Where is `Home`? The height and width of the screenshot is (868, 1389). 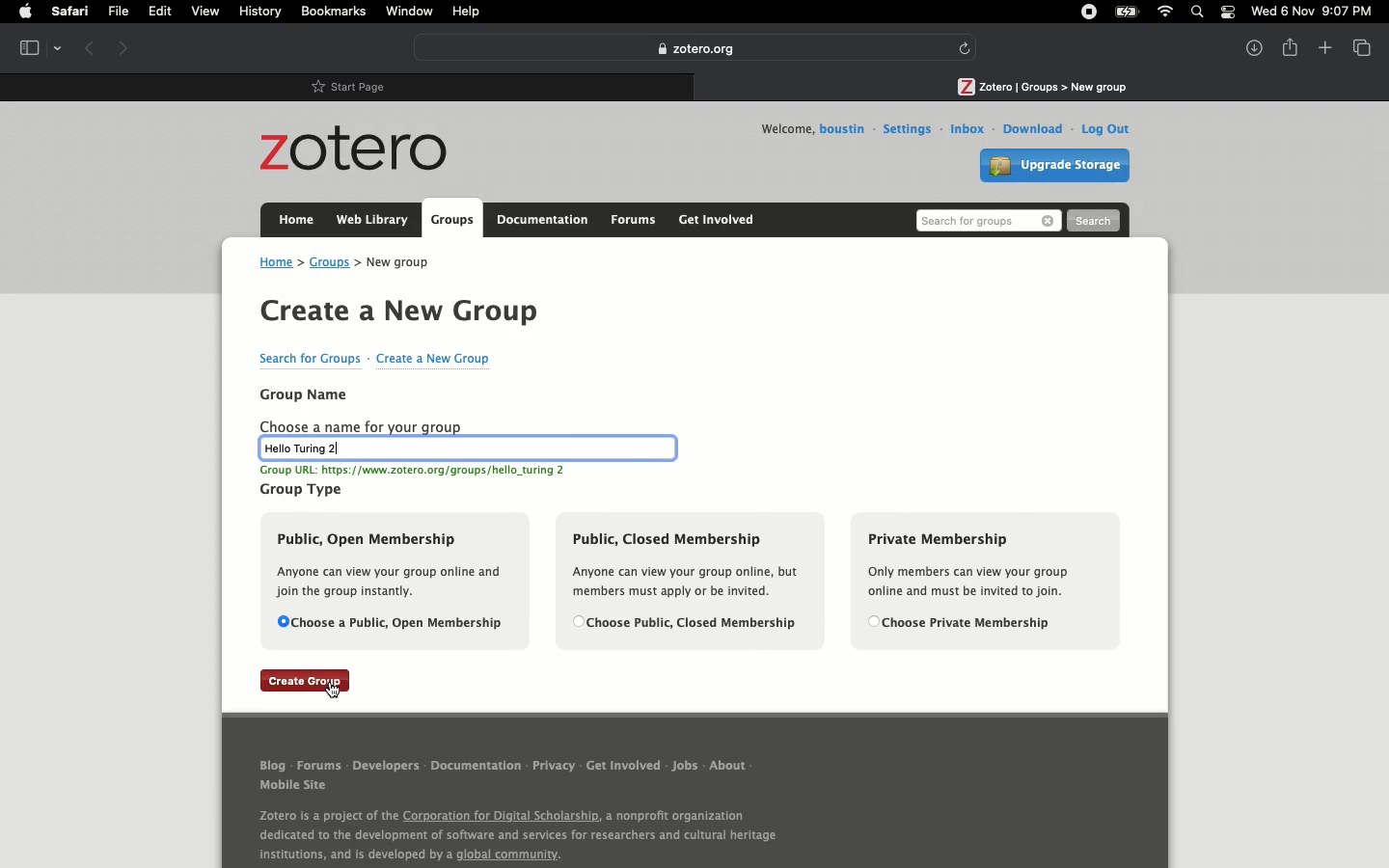
Home is located at coordinates (276, 263).